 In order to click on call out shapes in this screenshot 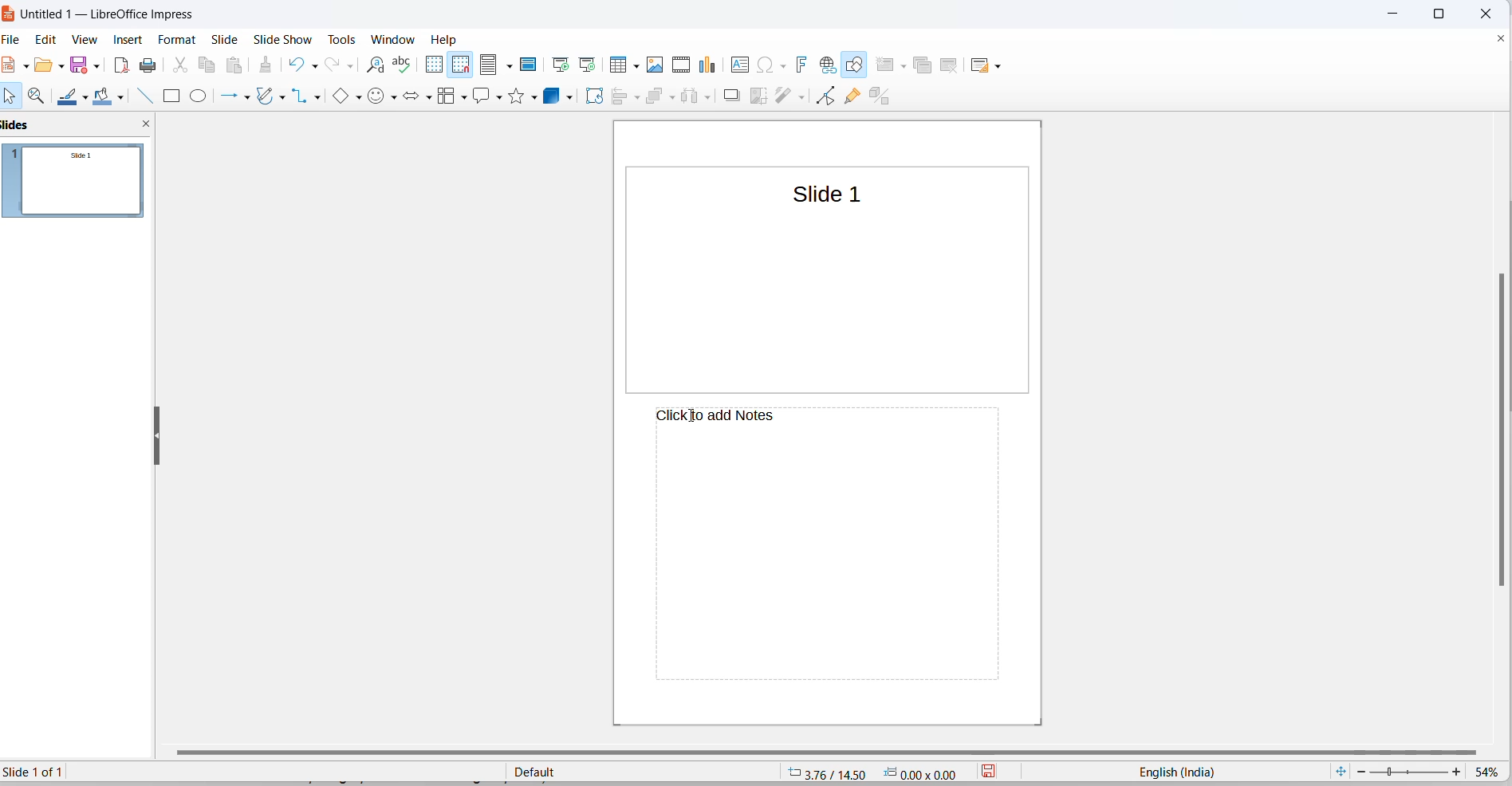, I will do `click(482, 98)`.